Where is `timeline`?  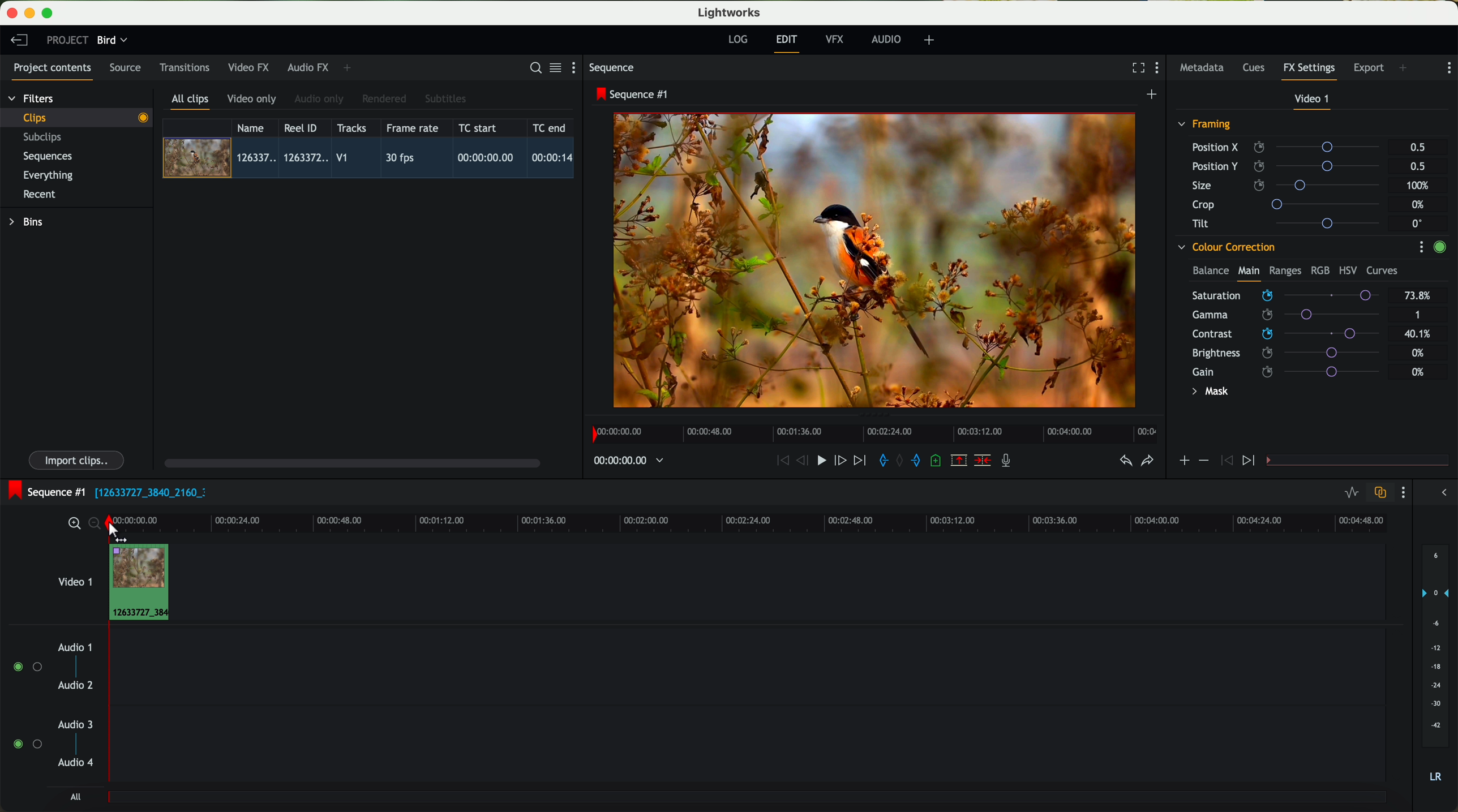
timeline is located at coordinates (778, 522).